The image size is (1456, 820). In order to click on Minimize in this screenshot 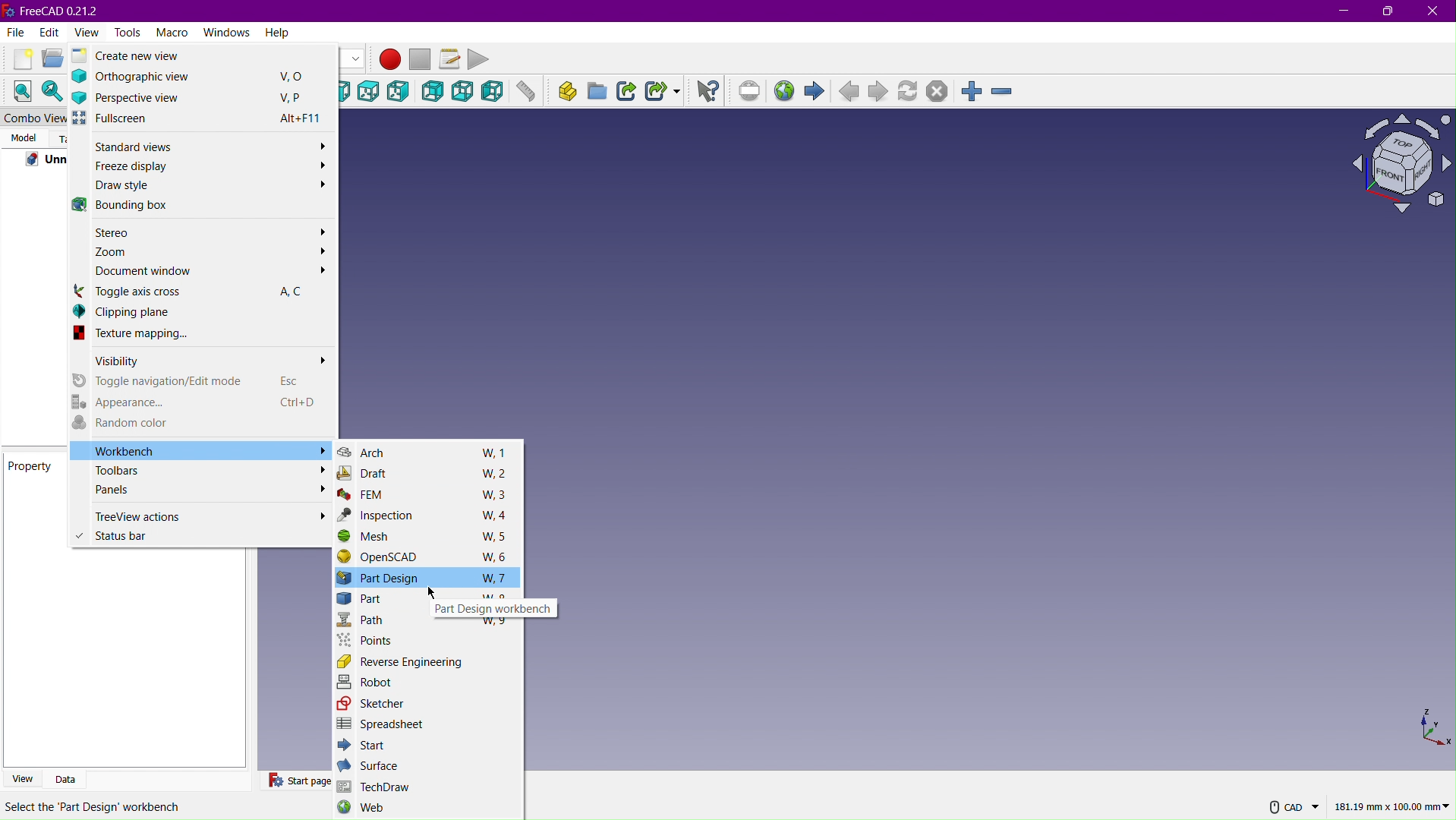, I will do `click(1341, 12)`.